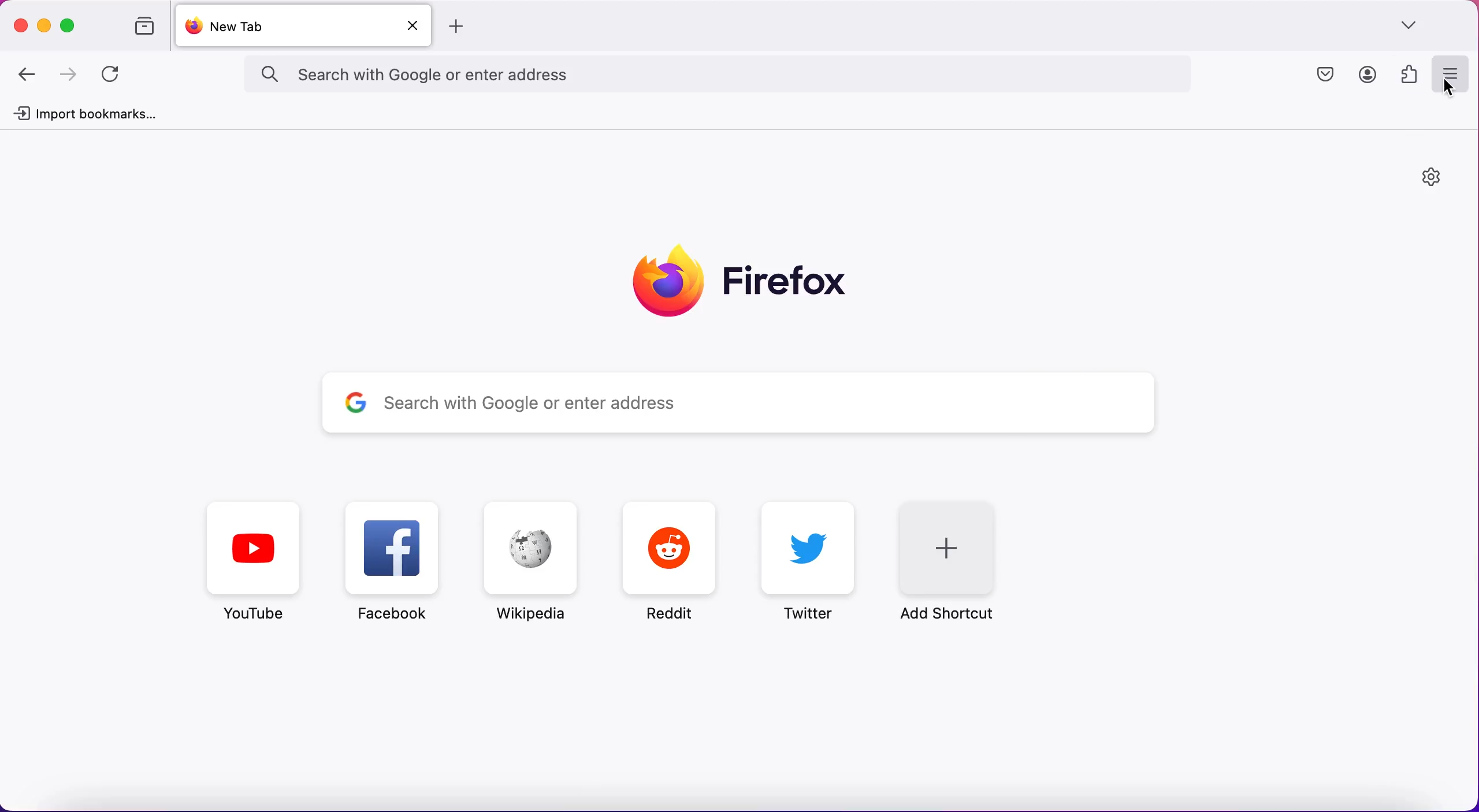 This screenshot has height=812, width=1479. What do you see at coordinates (70, 76) in the screenshot?
I see `go forward one page` at bounding box center [70, 76].